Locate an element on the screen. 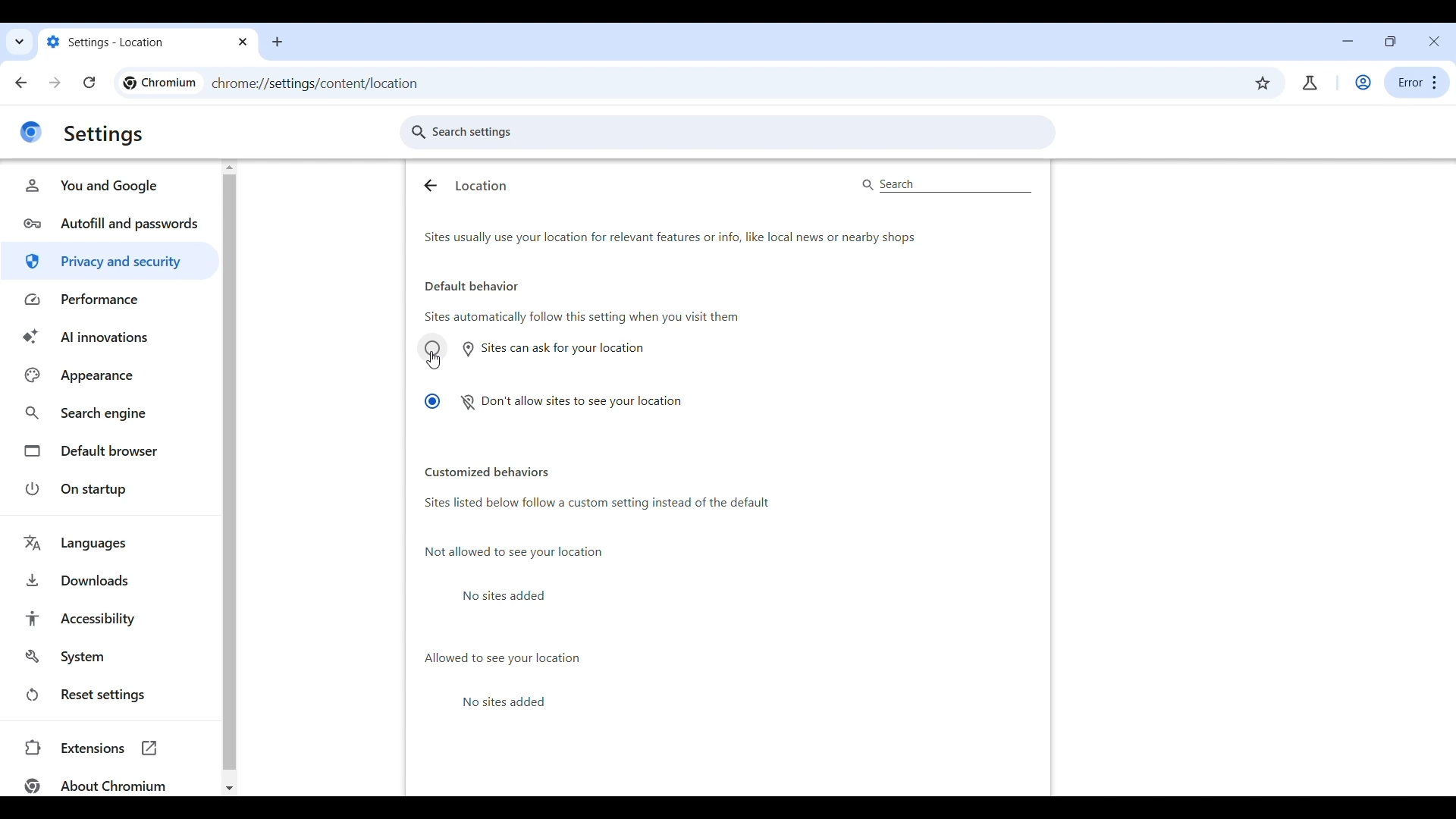  sites automatically follow this setting when you visit them  is located at coordinates (582, 318).